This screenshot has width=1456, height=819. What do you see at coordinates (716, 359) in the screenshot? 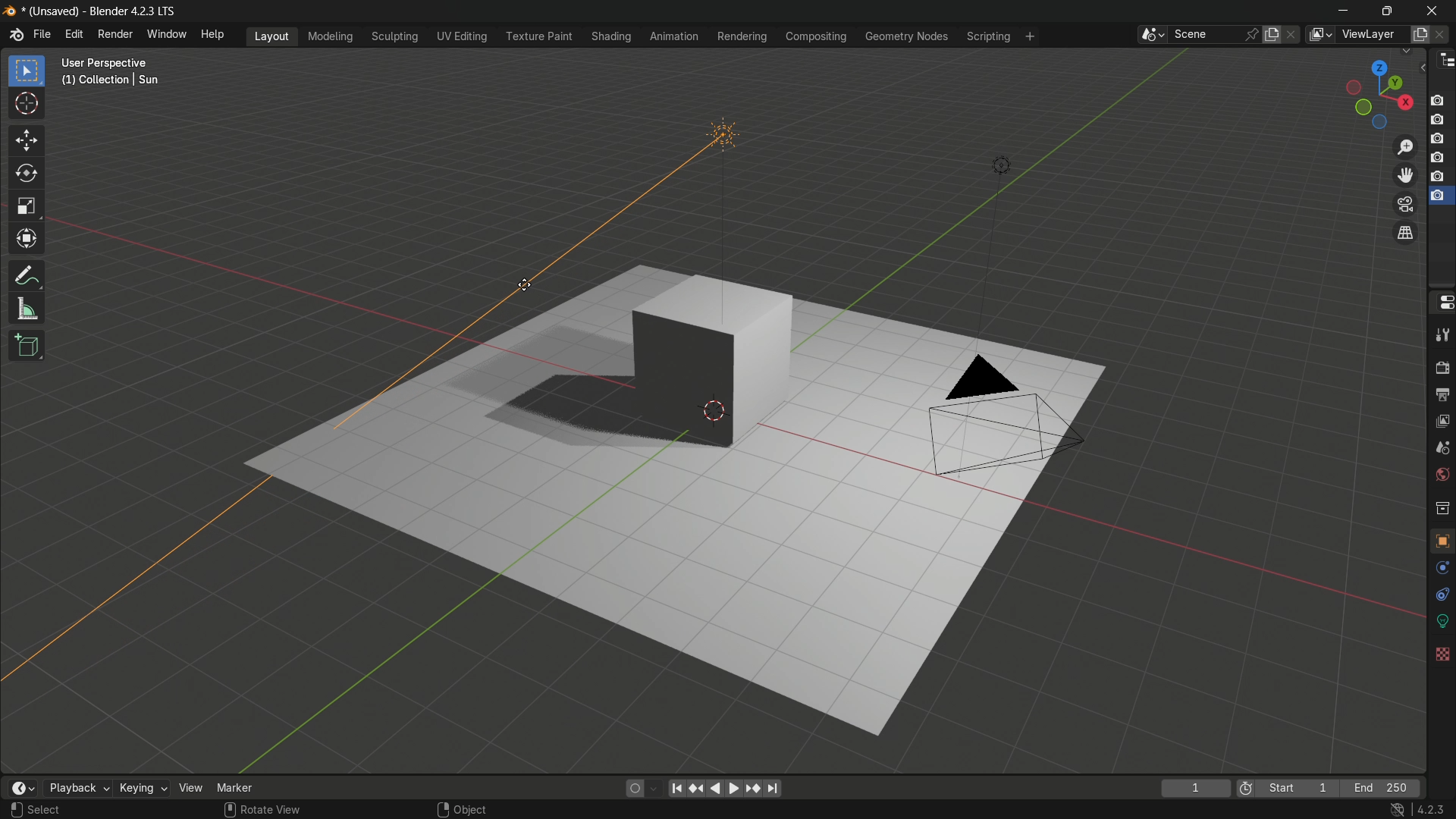
I see `cube` at bounding box center [716, 359].